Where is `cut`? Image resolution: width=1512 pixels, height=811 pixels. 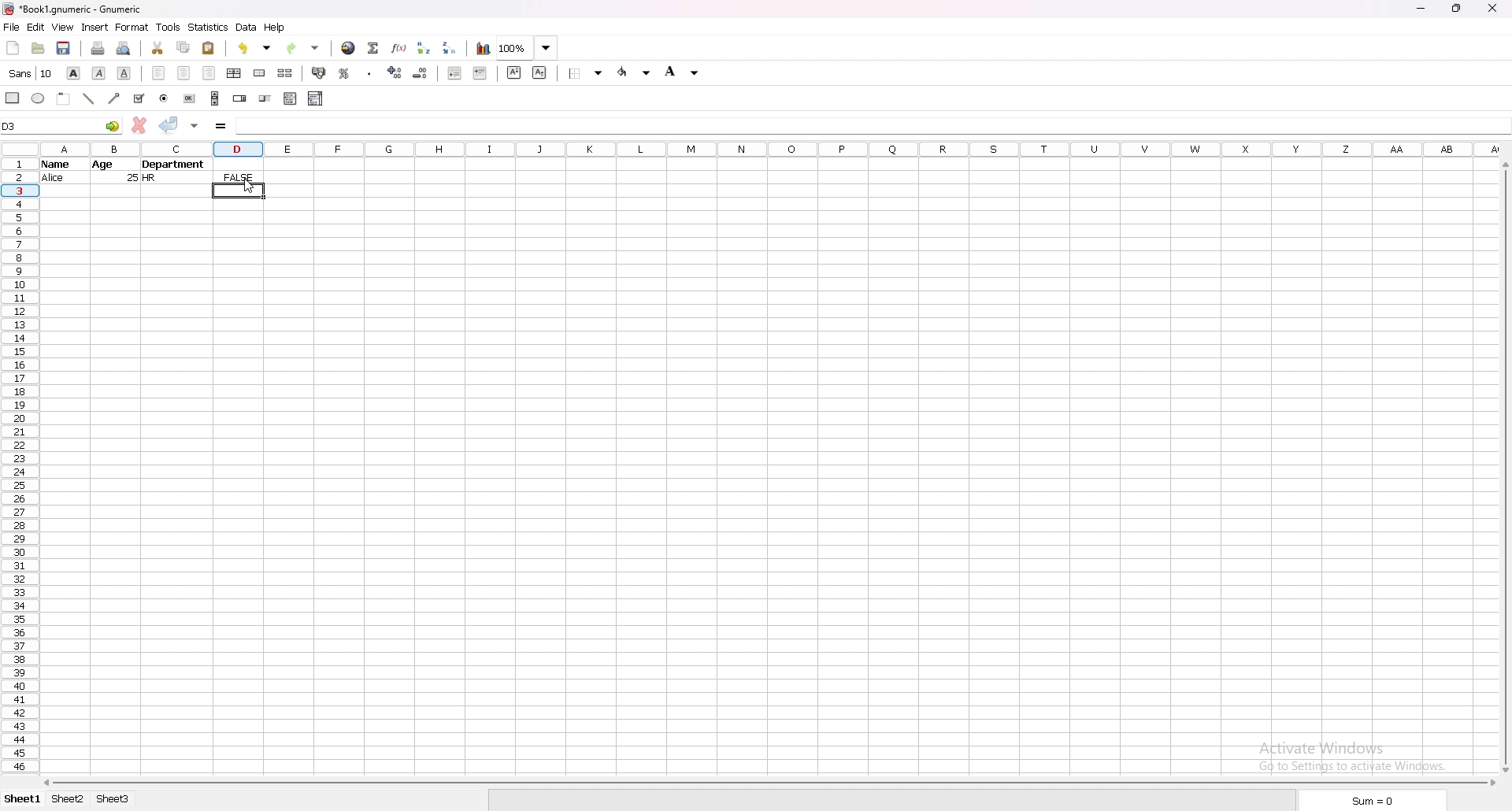
cut is located at coordinates (157, 48).